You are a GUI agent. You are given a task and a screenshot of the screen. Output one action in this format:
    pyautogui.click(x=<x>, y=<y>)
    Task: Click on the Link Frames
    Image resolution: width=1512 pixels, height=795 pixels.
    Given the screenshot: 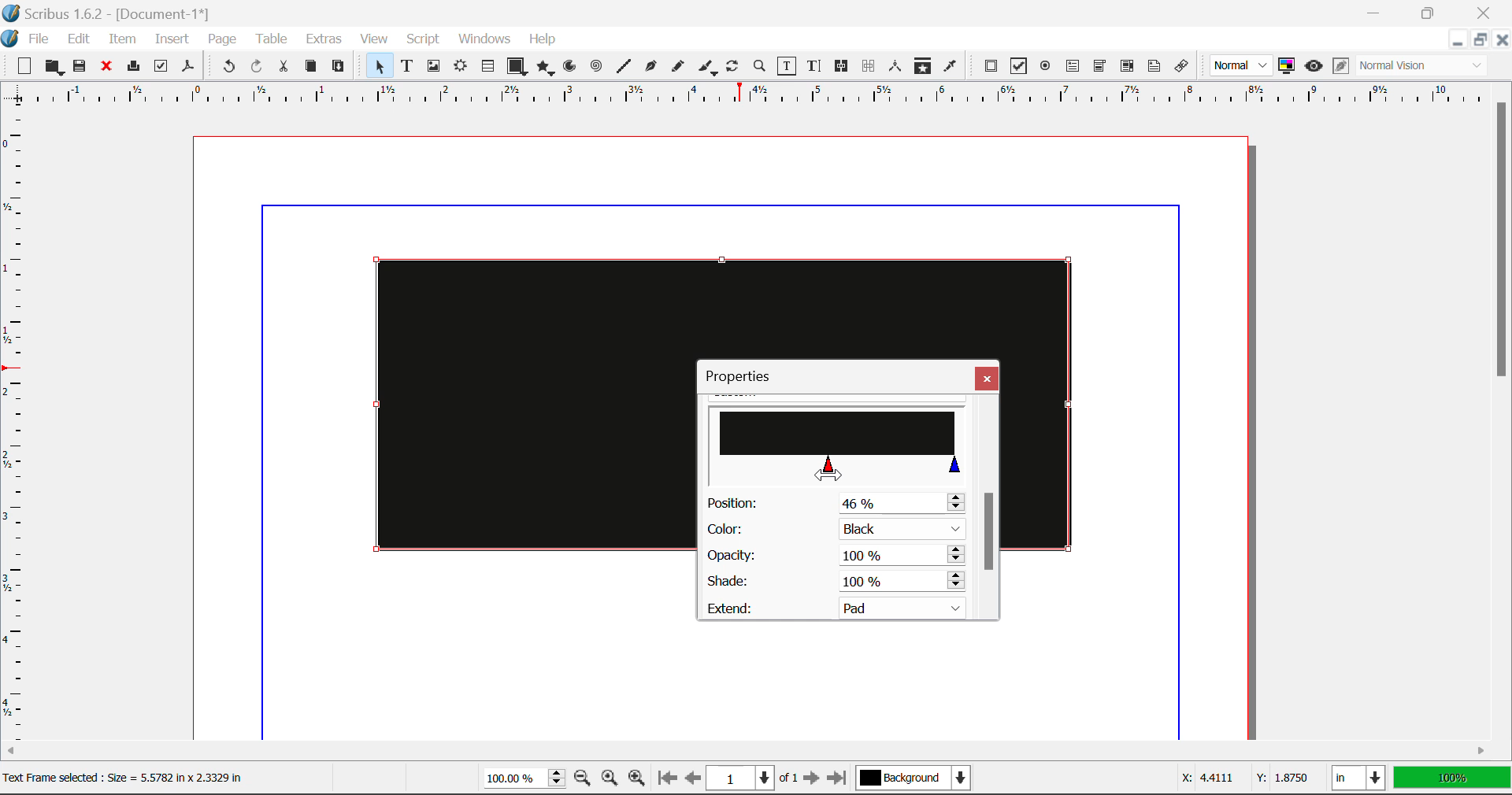 What is the action you would take?
    pyautogui.click(x=844, y=66)
    